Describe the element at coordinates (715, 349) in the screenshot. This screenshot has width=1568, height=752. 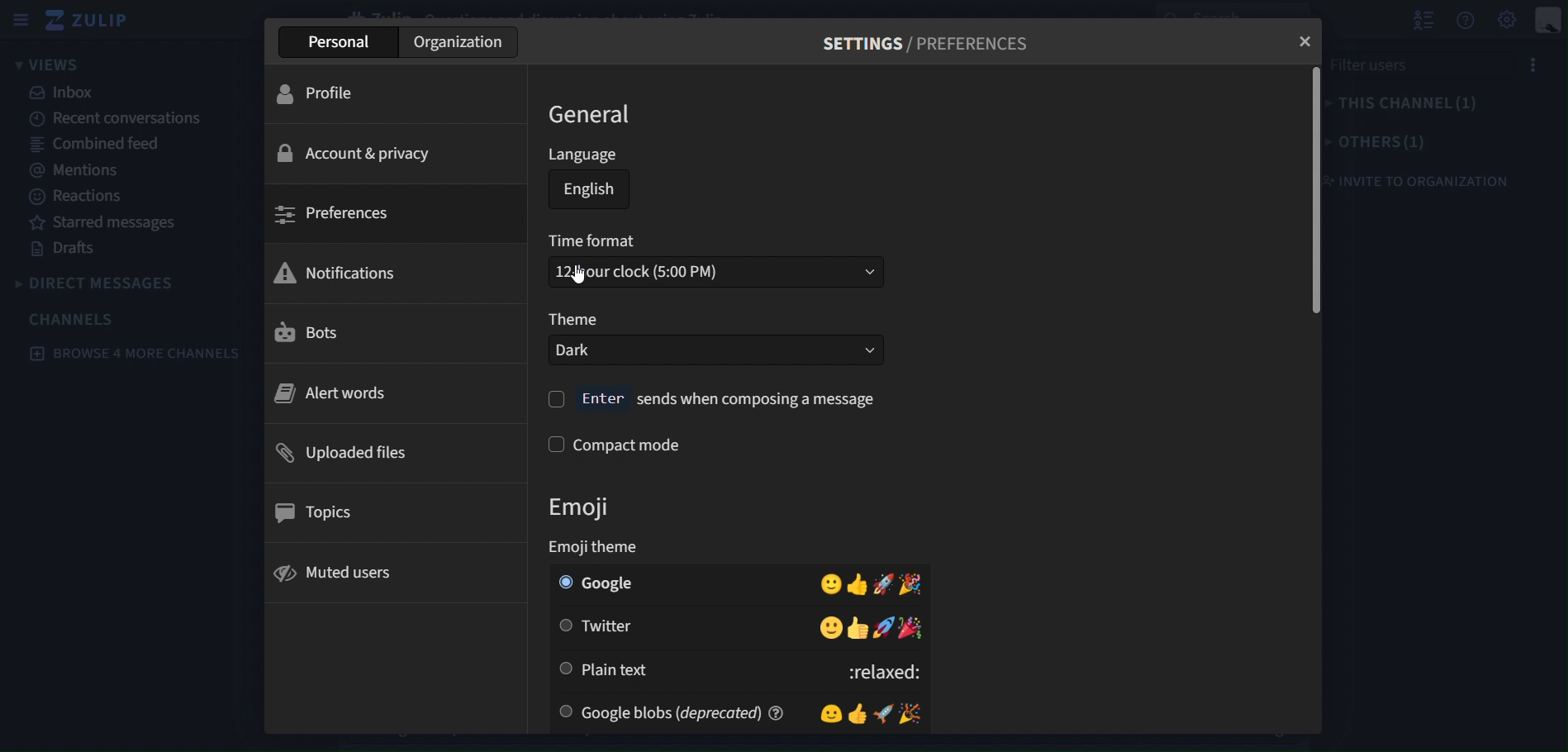
I see `Dark` at that location.